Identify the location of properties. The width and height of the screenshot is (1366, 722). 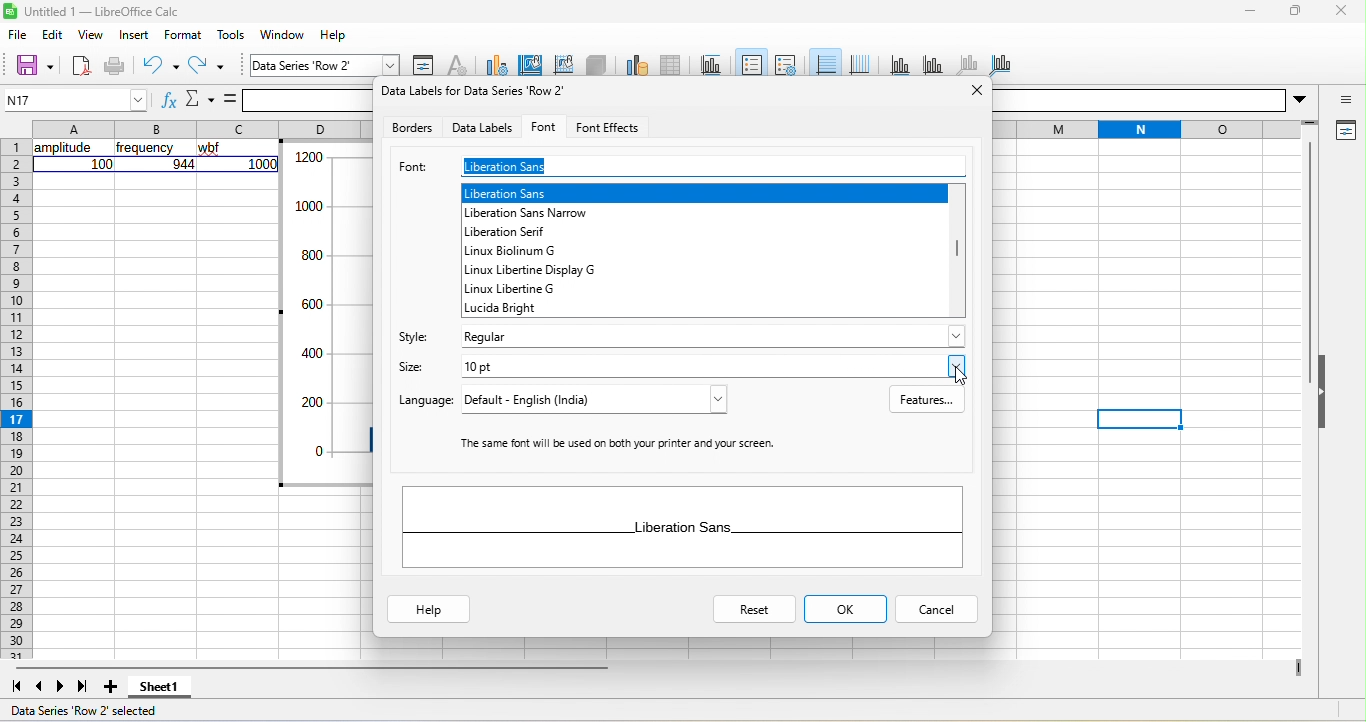
(1342, 130).